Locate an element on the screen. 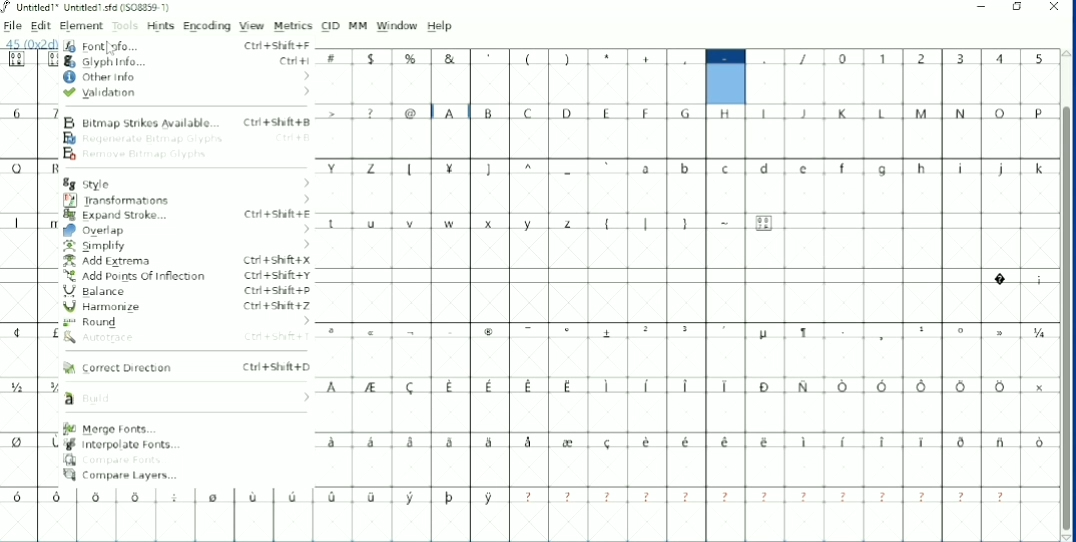  Validation is located at coordinates (186, 93).